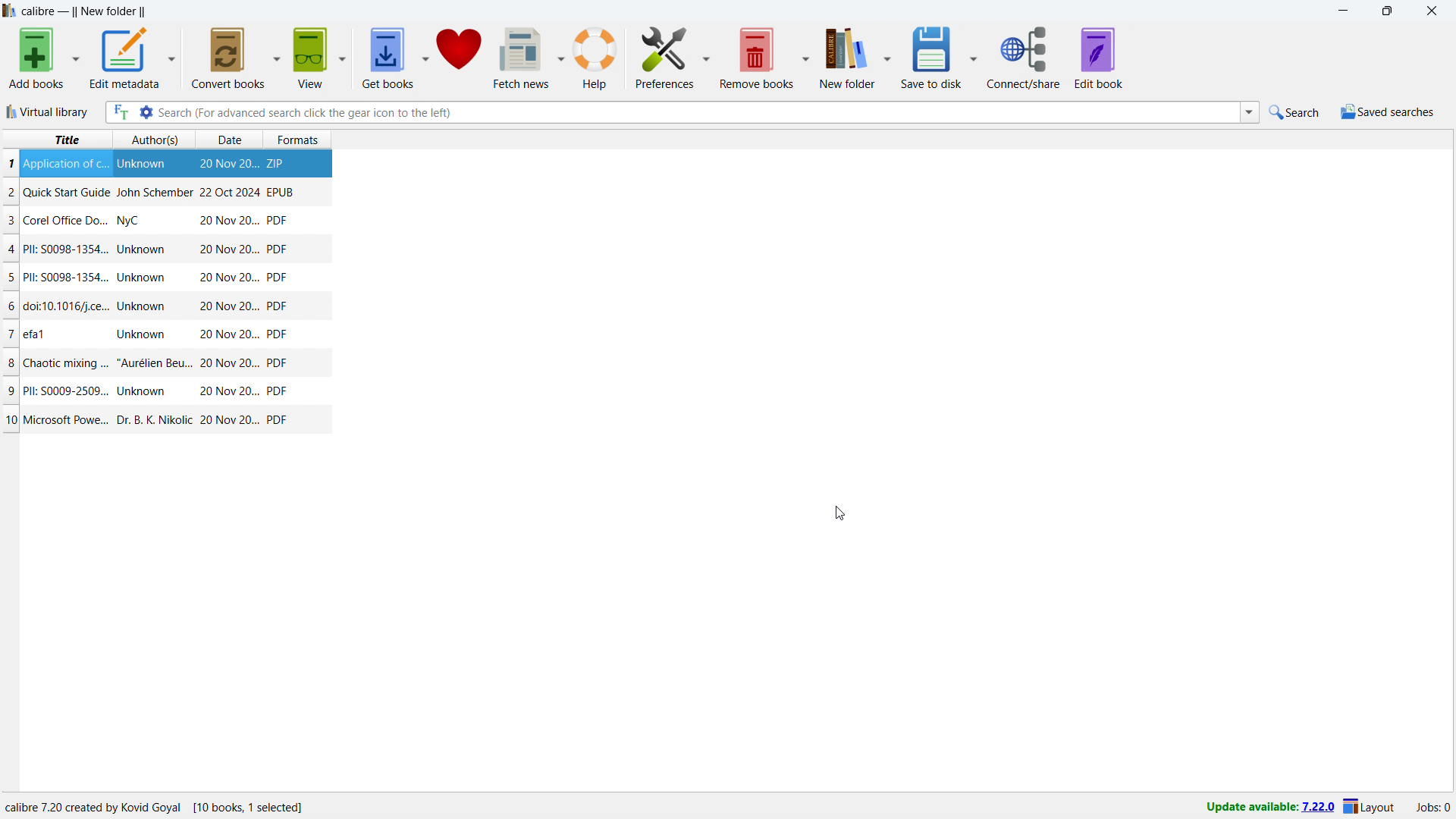 This screenshot has width=1456, height=819. What do you see at coordinates (227, 140) in the screenshot?
I see `date` at bounding box center [227, 140].